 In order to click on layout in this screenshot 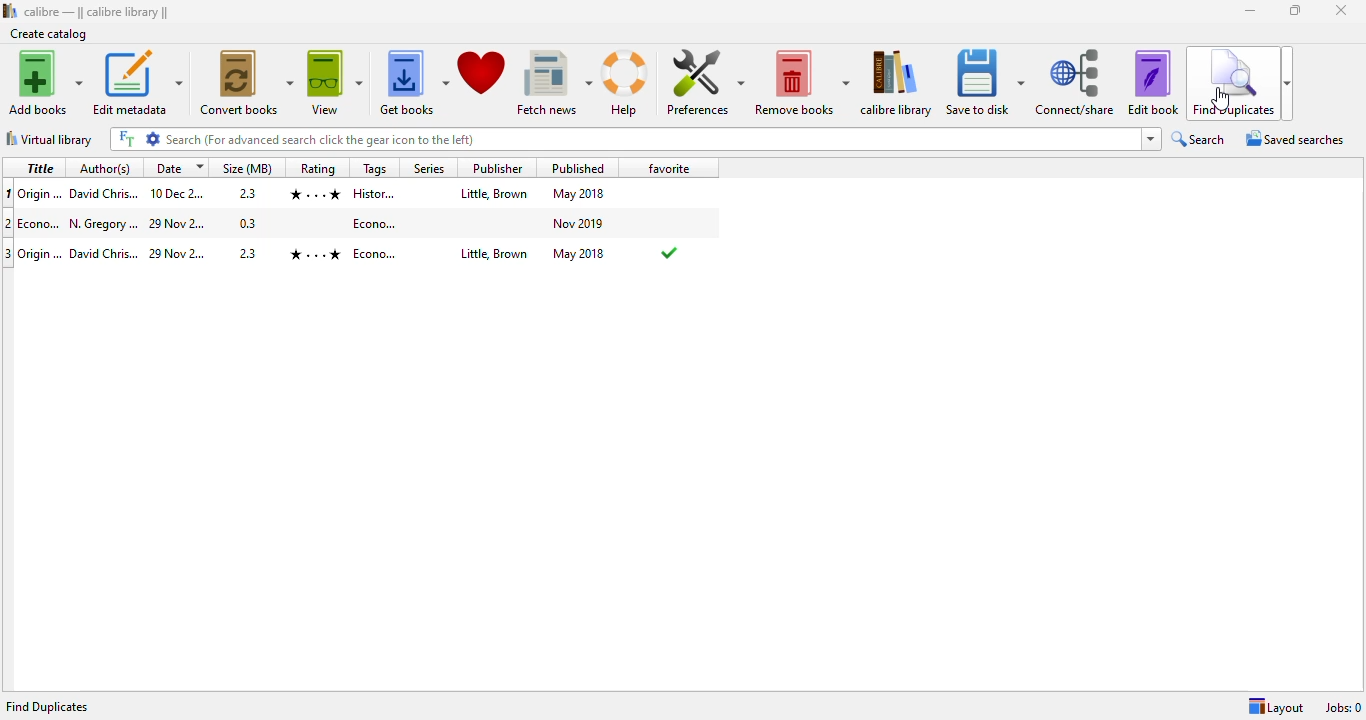, I will do `click(1276, 707)`.